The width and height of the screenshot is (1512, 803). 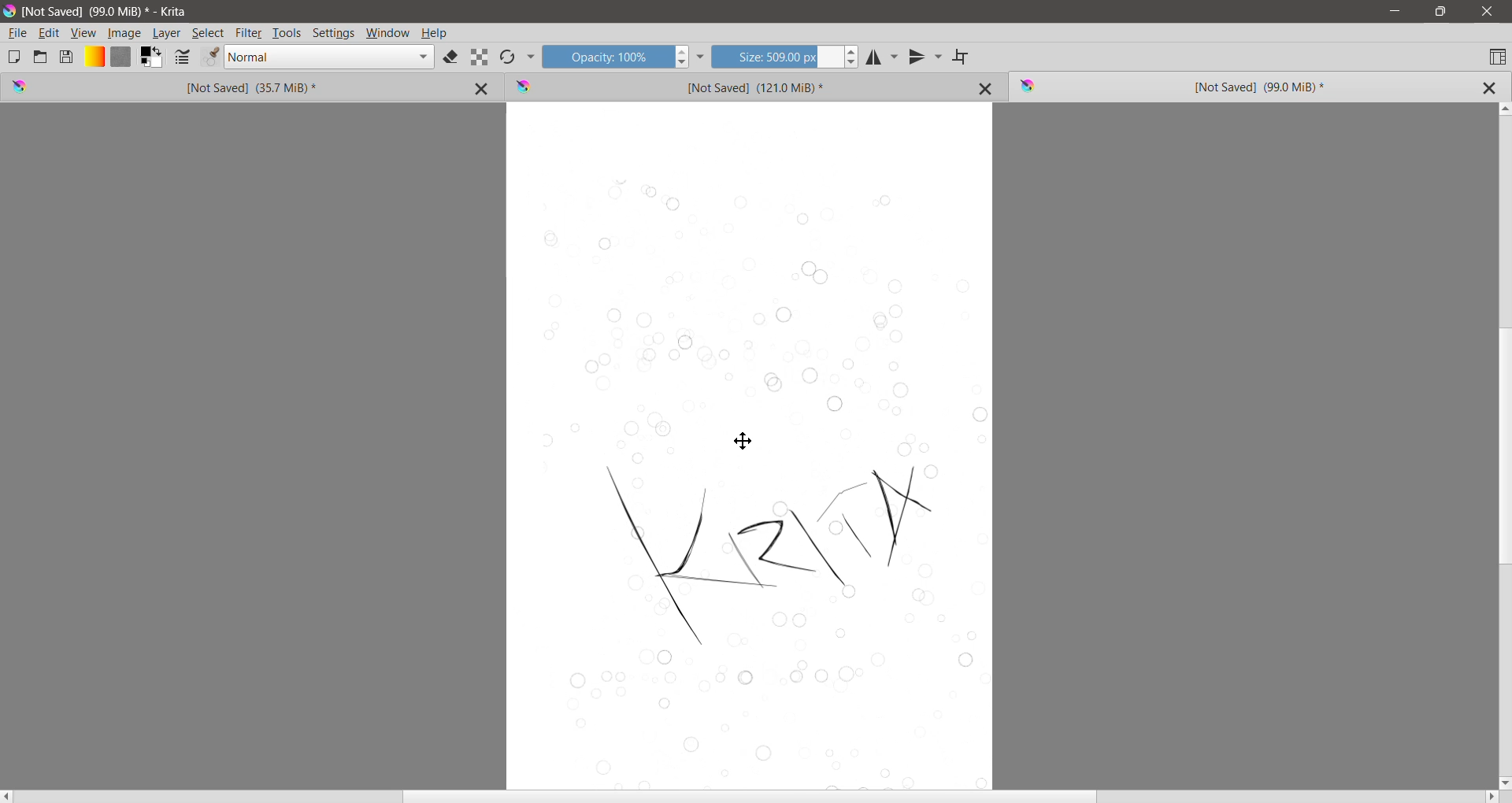 I want to click on View, so click(x=83, y=33).